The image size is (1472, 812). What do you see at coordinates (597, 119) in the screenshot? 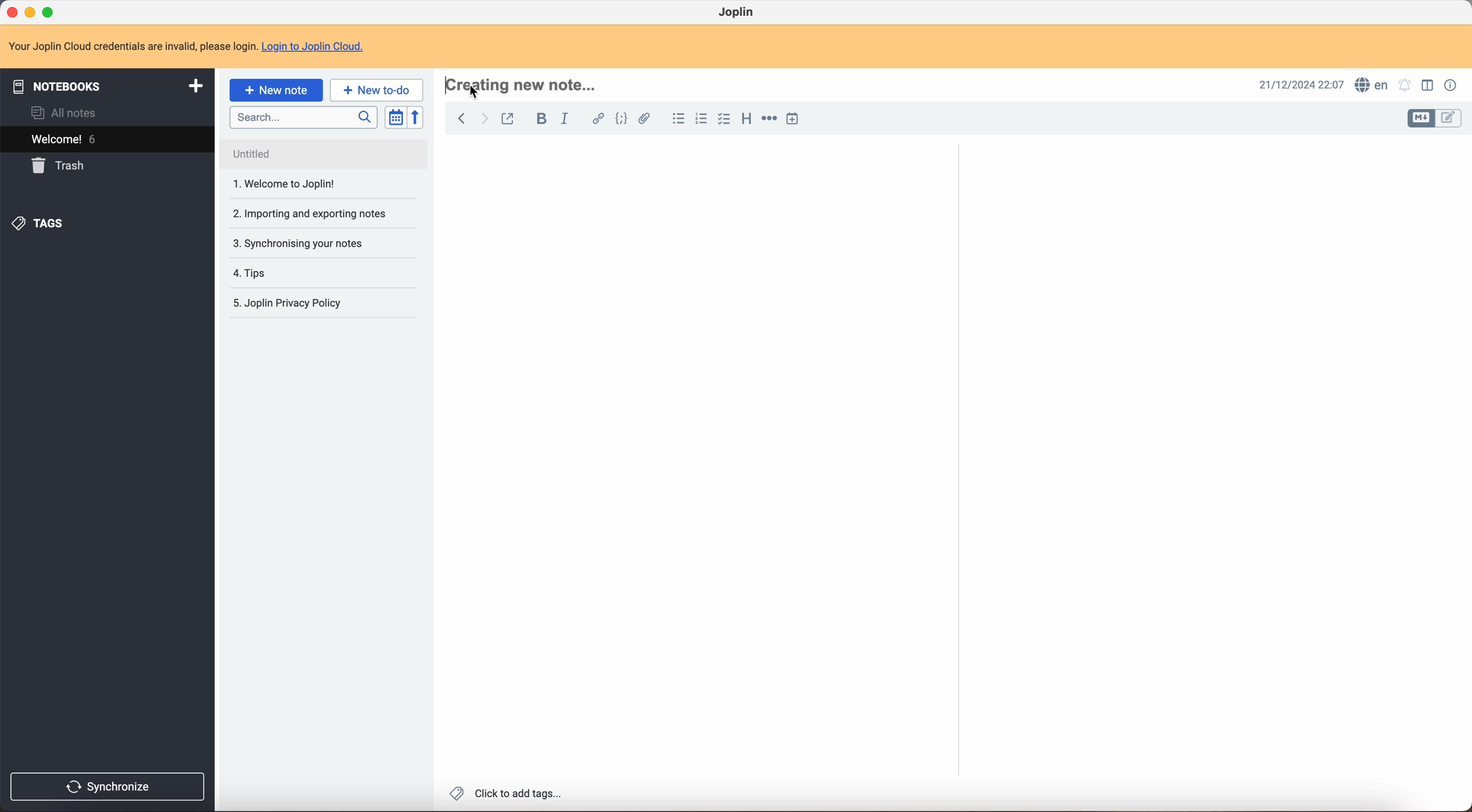
I see `hyperlink` at bounding box center [597, 119].